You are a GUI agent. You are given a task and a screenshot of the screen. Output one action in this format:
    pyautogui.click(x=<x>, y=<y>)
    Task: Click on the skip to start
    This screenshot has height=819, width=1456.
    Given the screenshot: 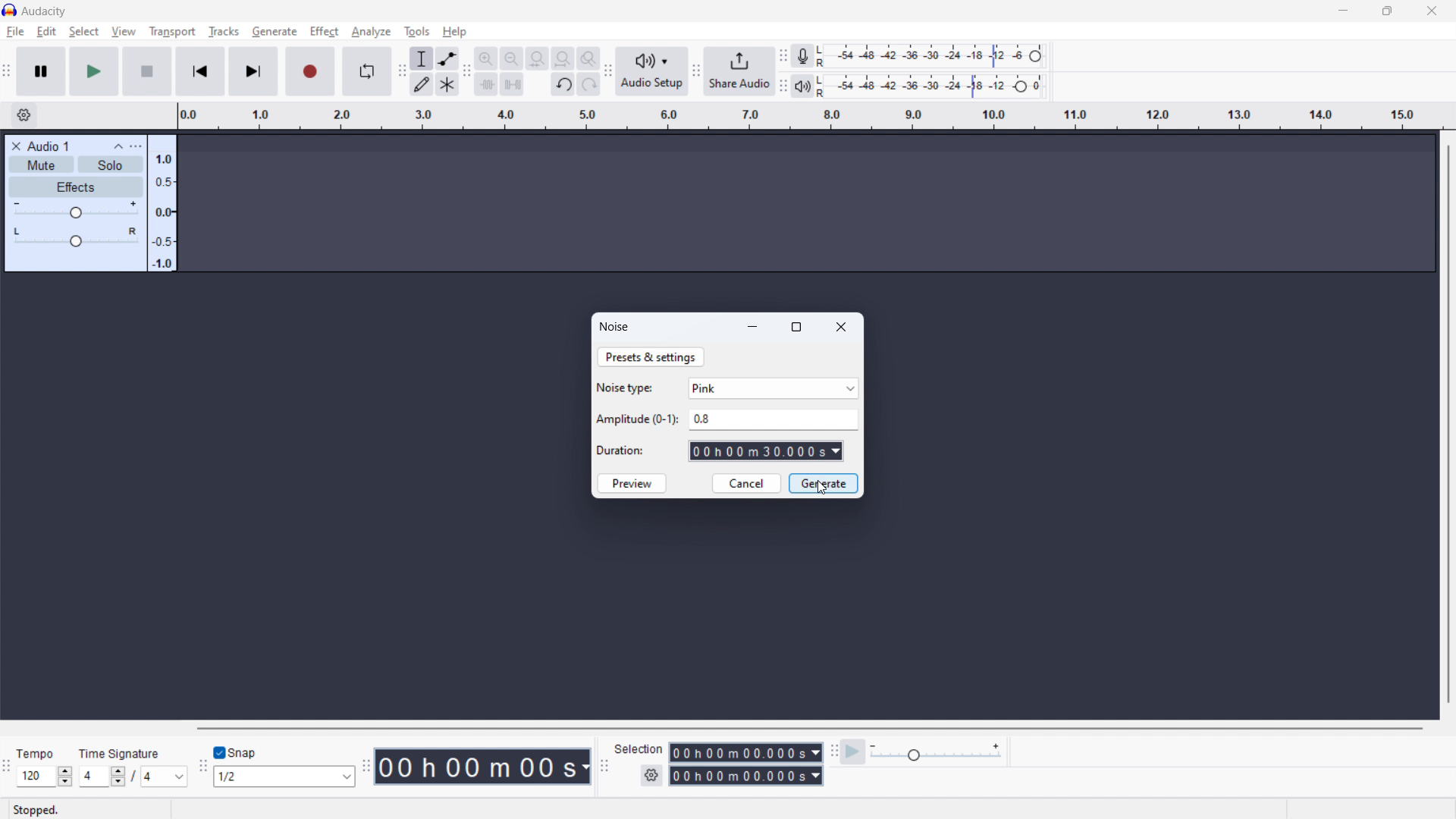 What is the action you would take?
    pyautogui.click(x=200, y=71)
    